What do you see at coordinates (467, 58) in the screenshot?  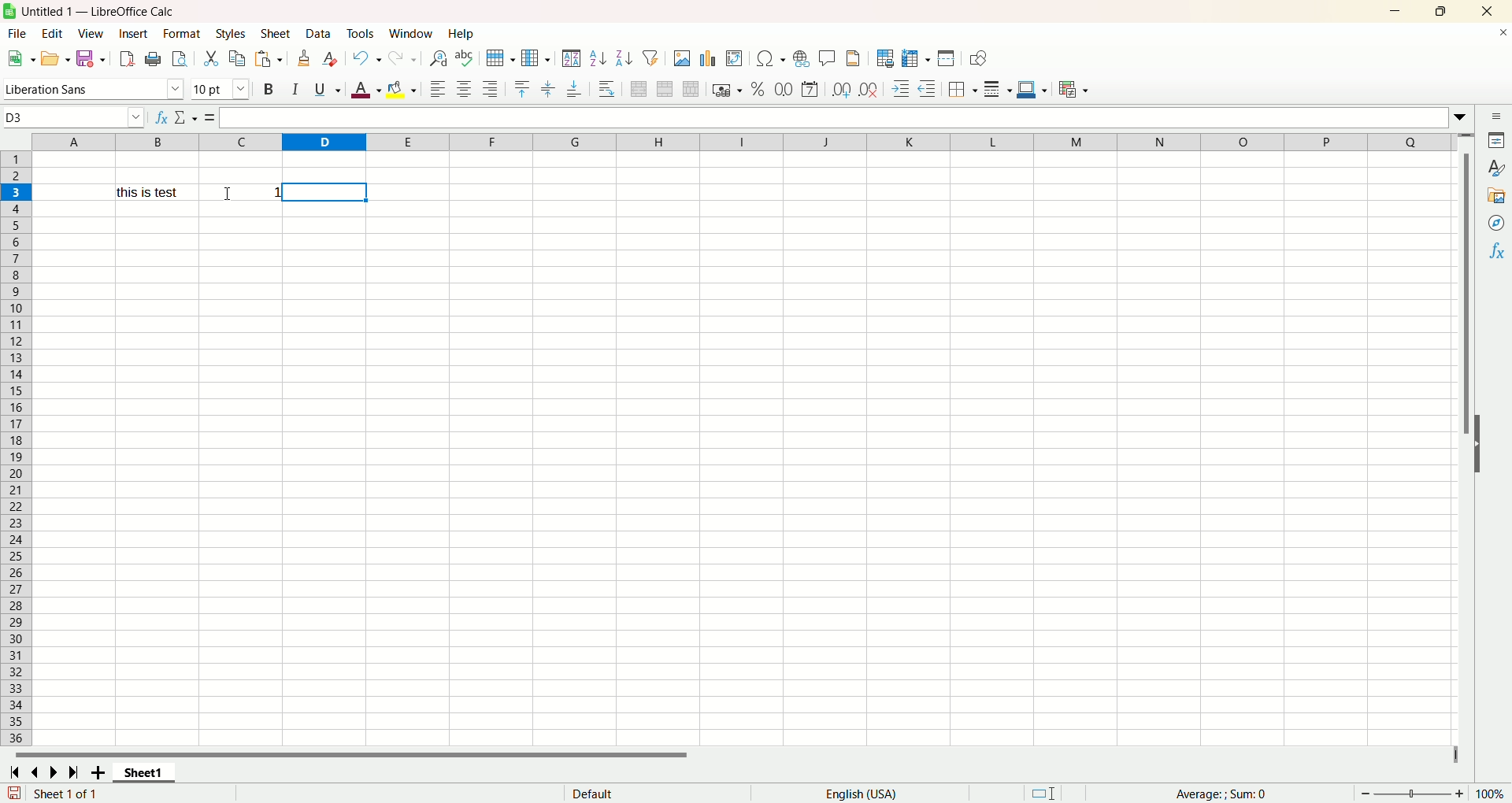 I see `spell check` at bounding box center [467, 58].